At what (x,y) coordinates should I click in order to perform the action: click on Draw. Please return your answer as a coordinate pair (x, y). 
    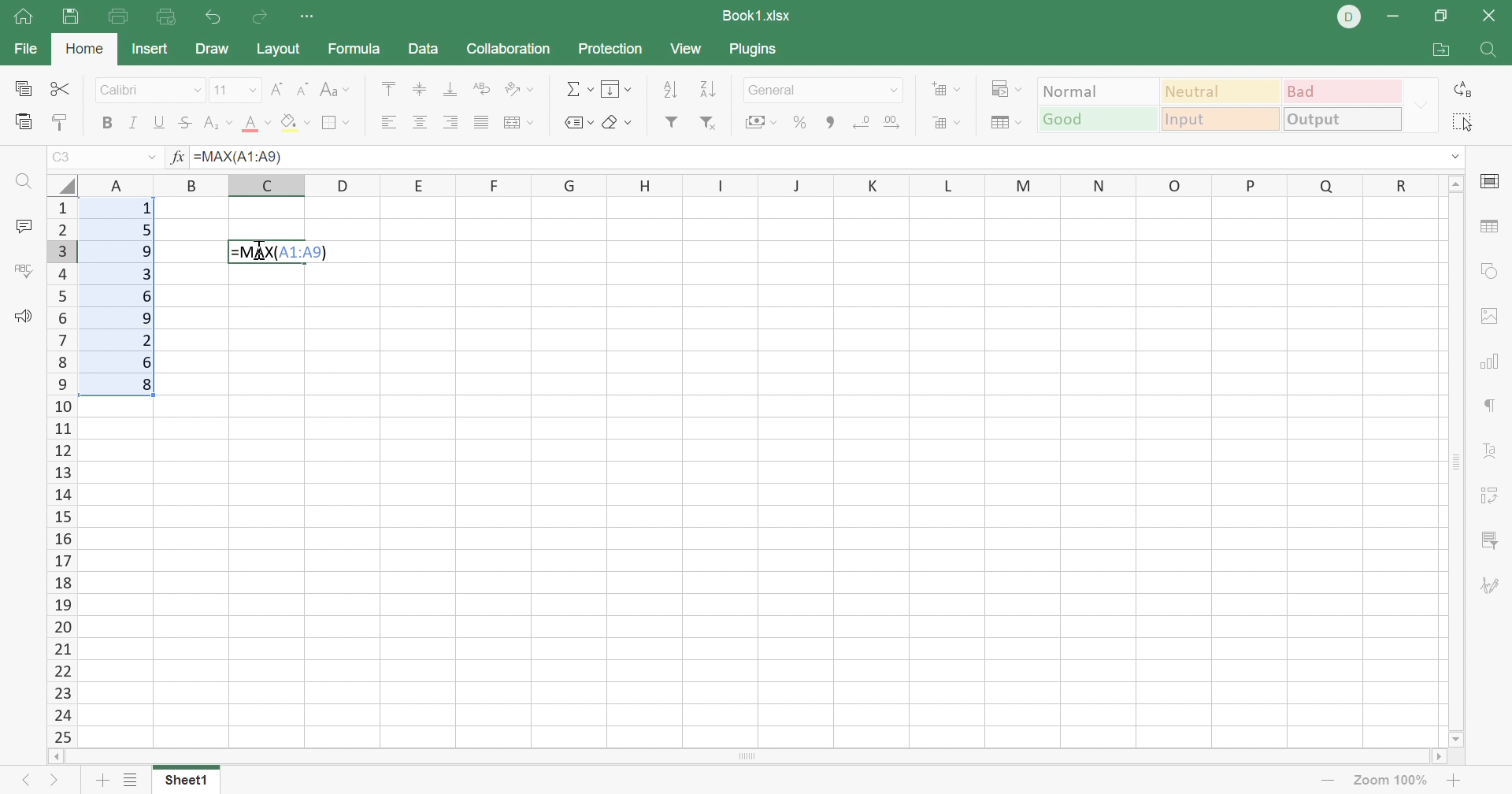
    Looking at the image, I should click on (211, 50).